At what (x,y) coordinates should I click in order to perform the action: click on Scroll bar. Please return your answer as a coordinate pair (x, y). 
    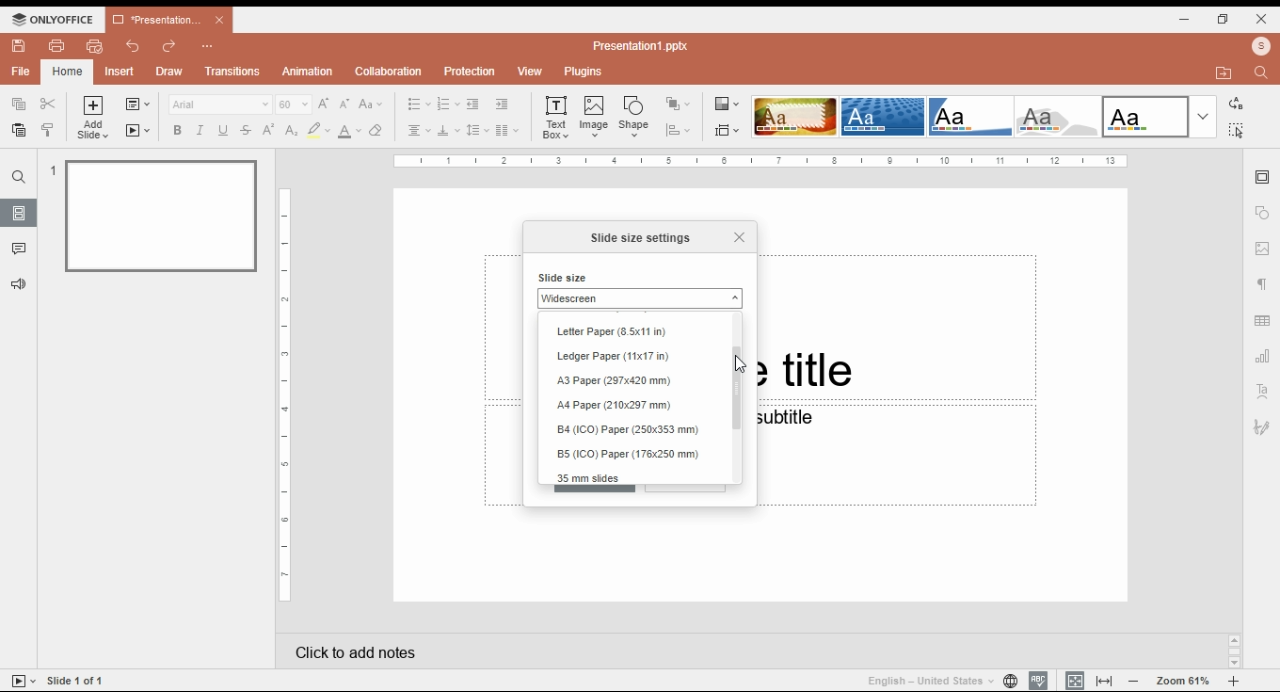
    Looking at the image, I should click on (1234, 650).